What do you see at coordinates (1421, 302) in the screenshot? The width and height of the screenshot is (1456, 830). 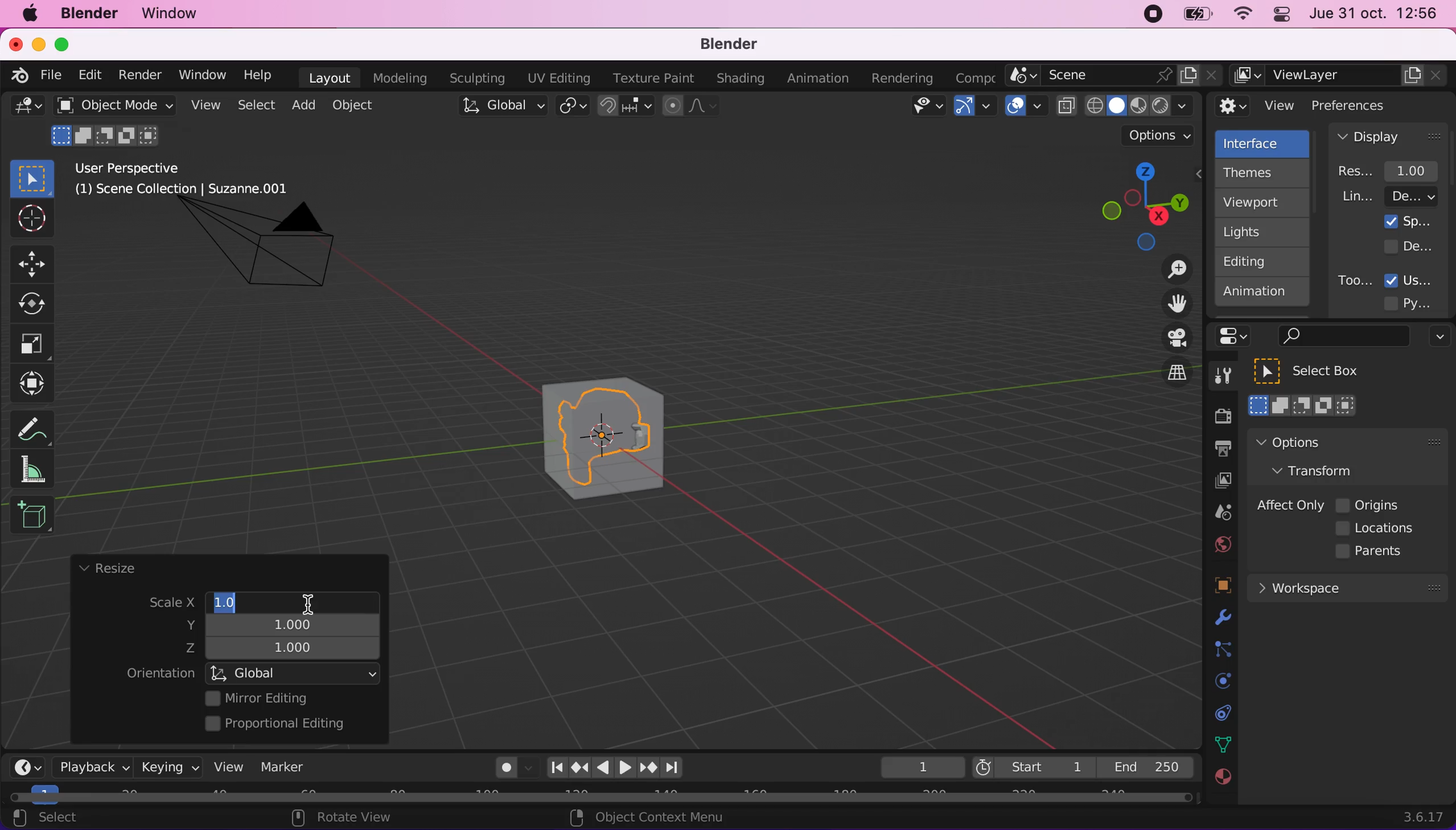 I see `python tooltips` at bounding box center [1421, 302].